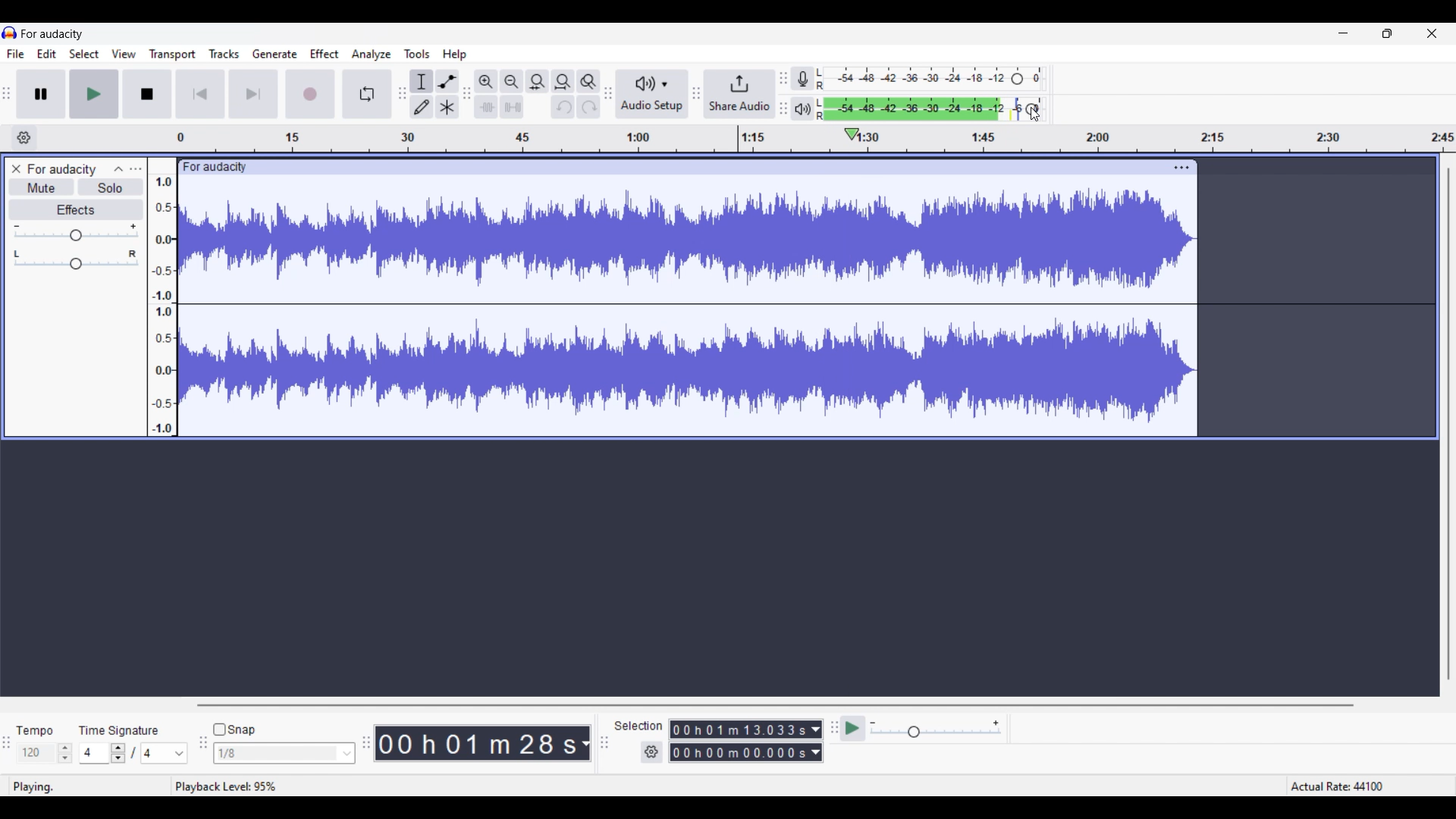 The height and width of the screenshot is (819, 1456). Describe the element at coordinates (310, 94) in the screenshot. I see `Record/Record new track` at that location.